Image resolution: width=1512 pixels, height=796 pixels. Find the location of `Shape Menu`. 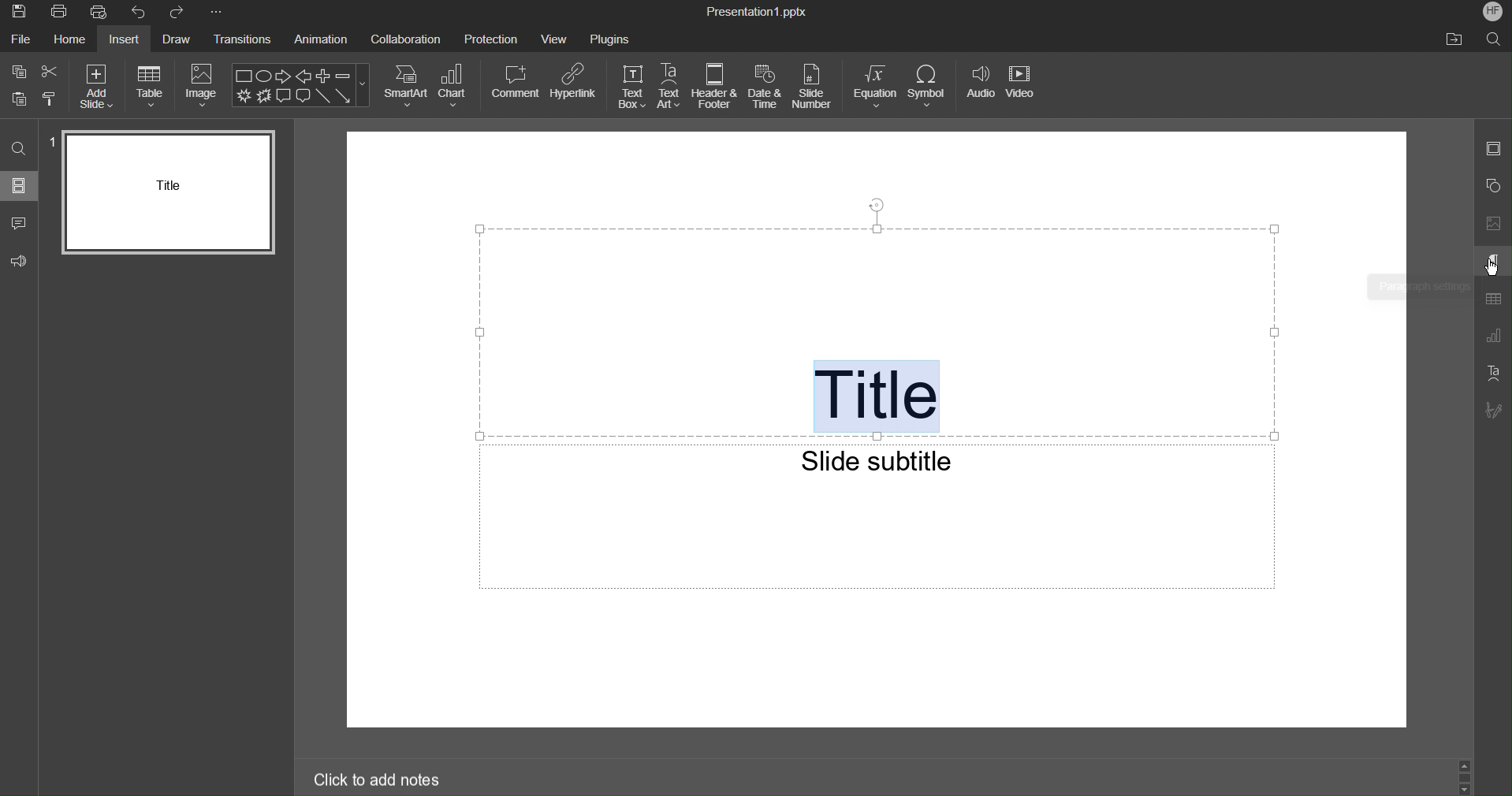

Shape Menu is located at coordinates (302, 85).